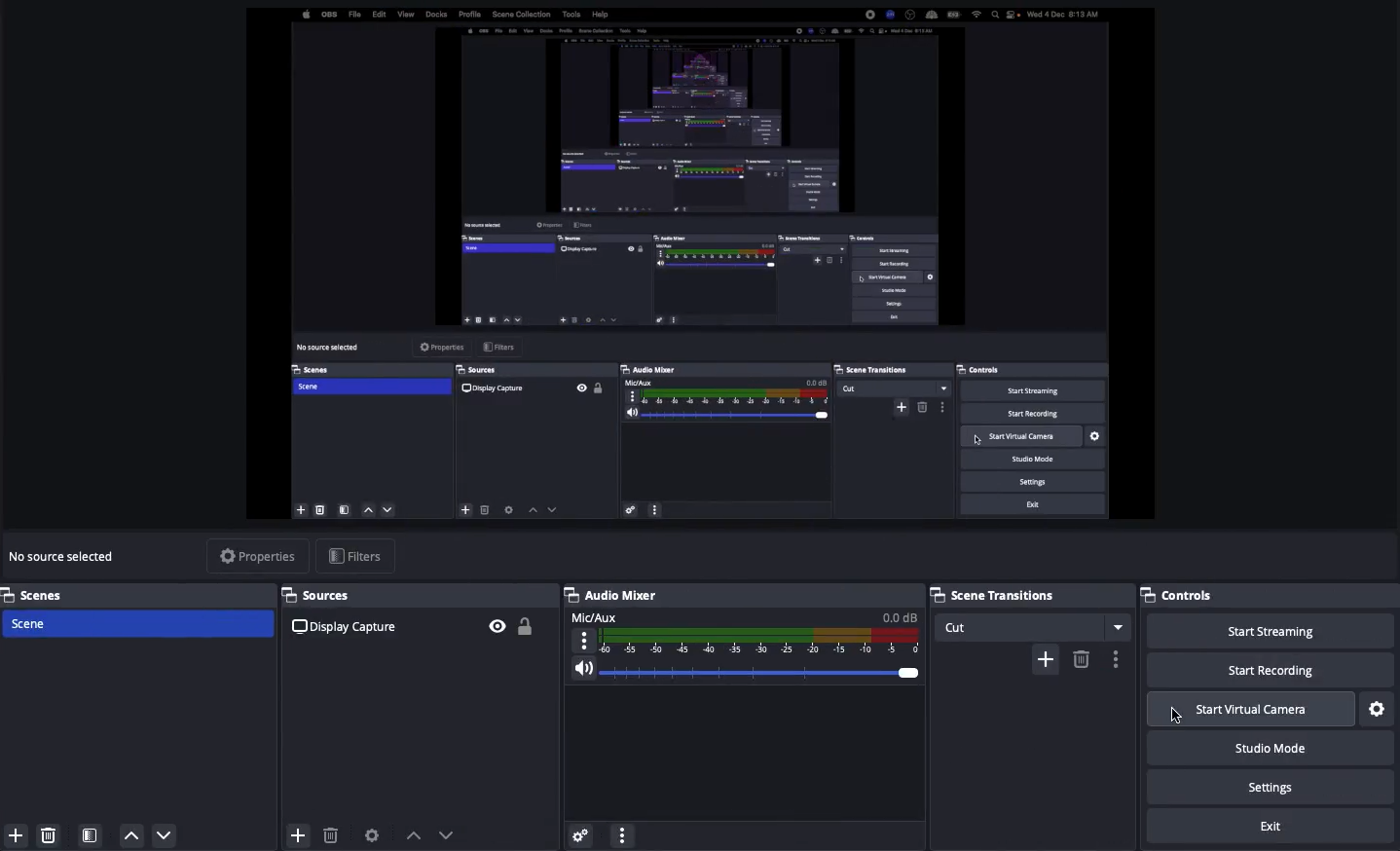  I want to click on Settings, so click(1376, 706).